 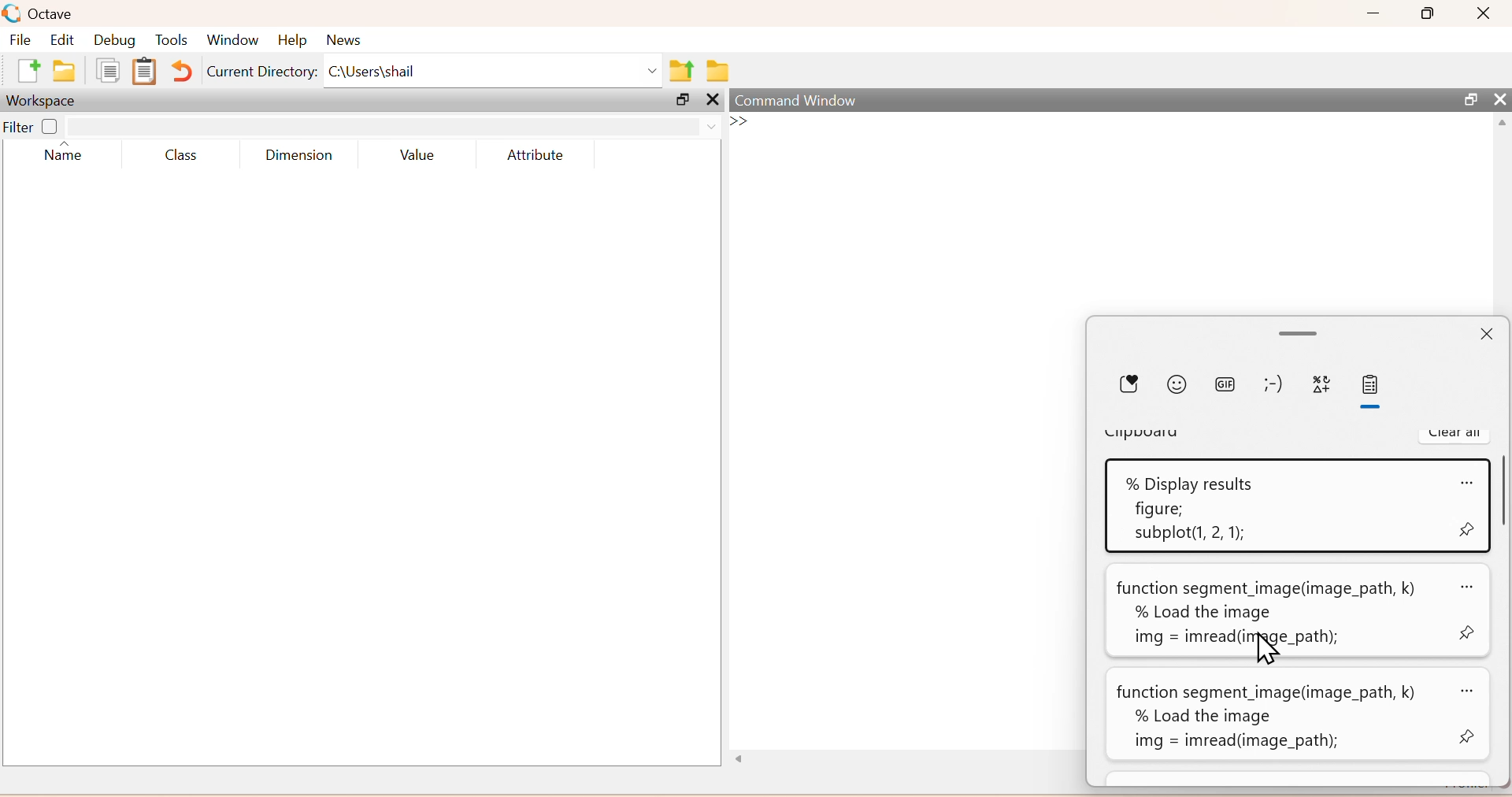 I want to click on File, so click(x=23, y=40).